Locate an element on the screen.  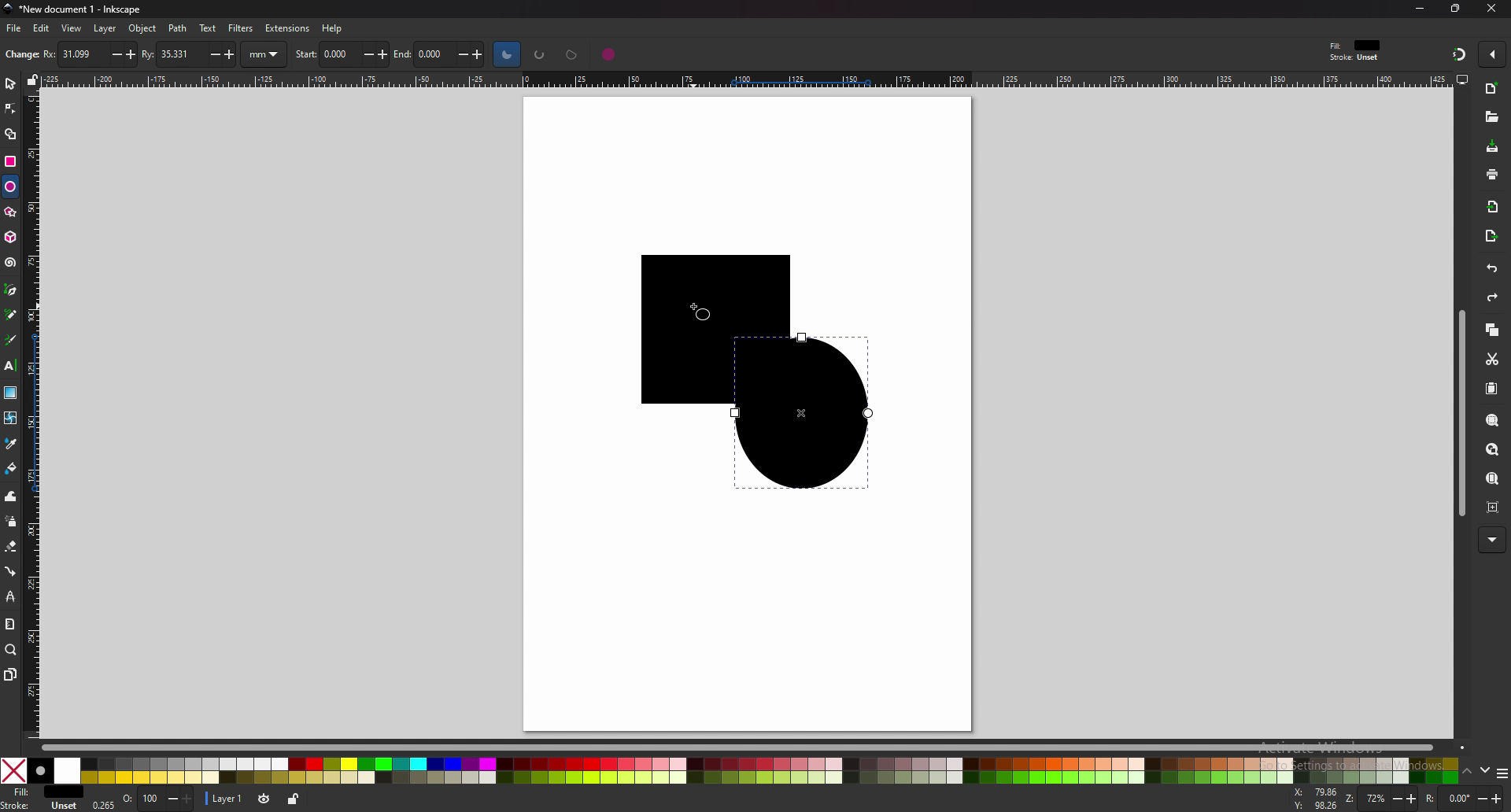
dropper is located at coordinates (12, 445).